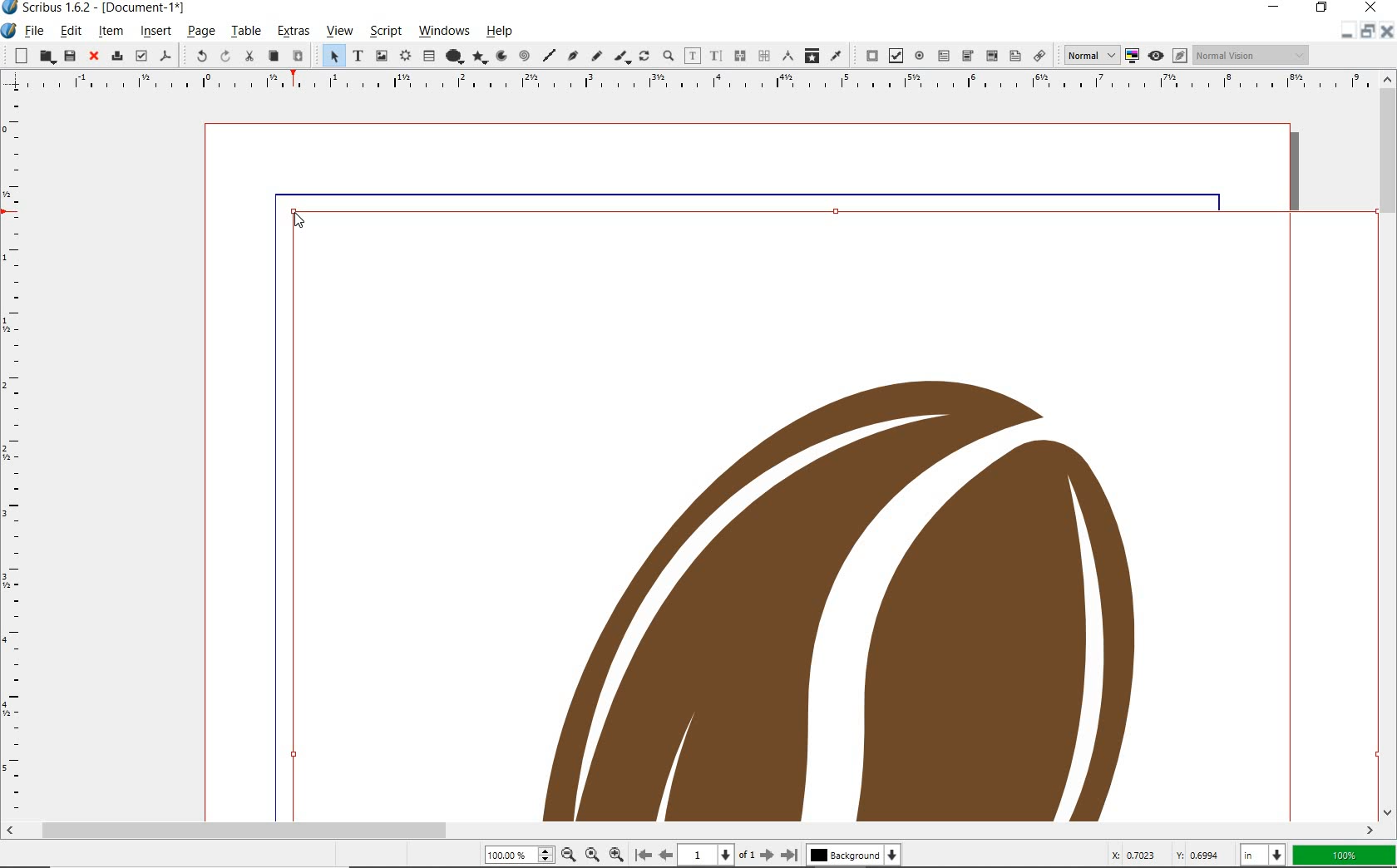 This screenshot has width=1397, height=868. I want to click on view, so click(338, 32).